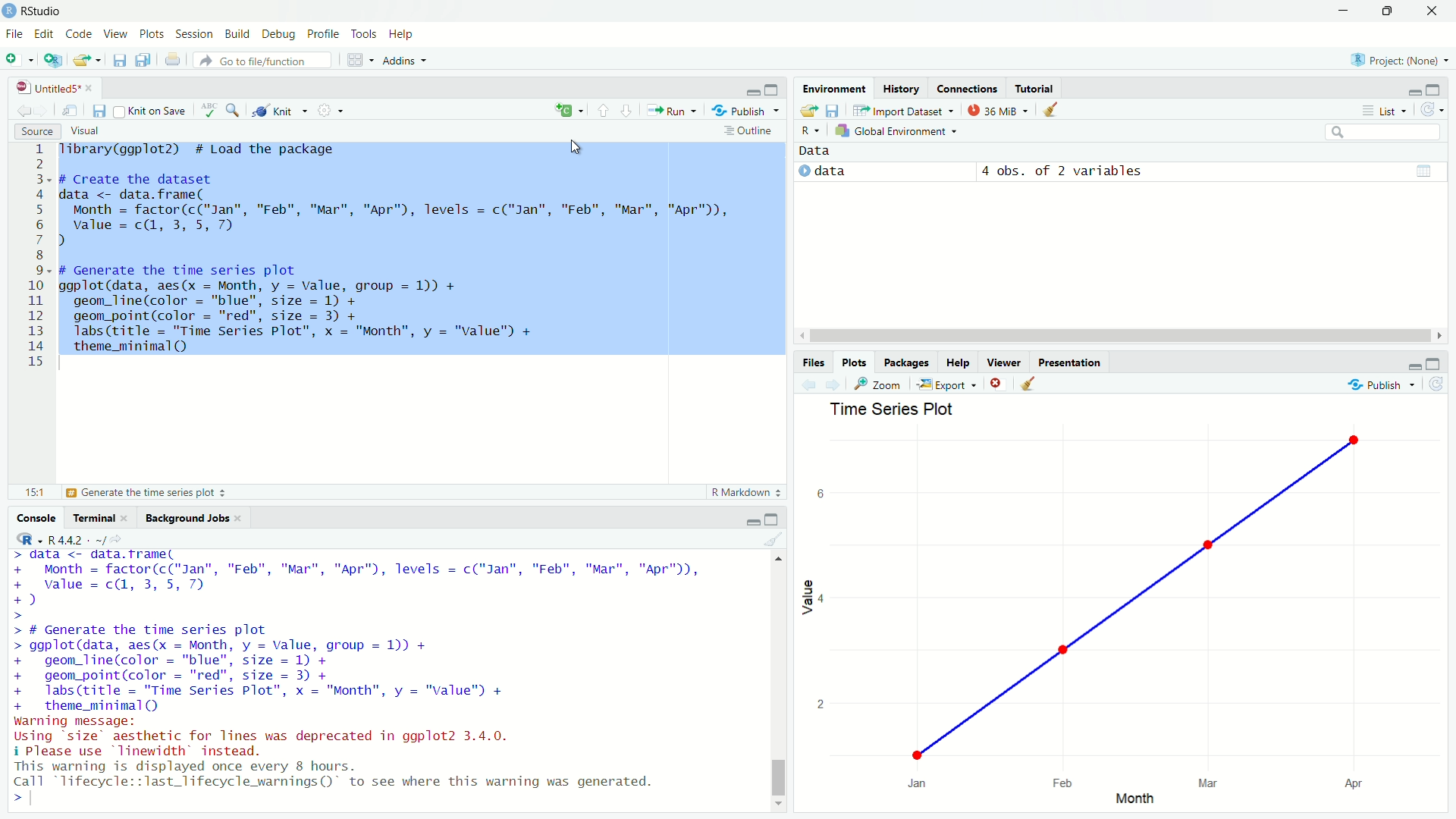 The width and height of the screenshot is (1456, 819). What do you see at coordinates (79, 33) in the screenshot?
I see `code` at bounding box center [79, 33].